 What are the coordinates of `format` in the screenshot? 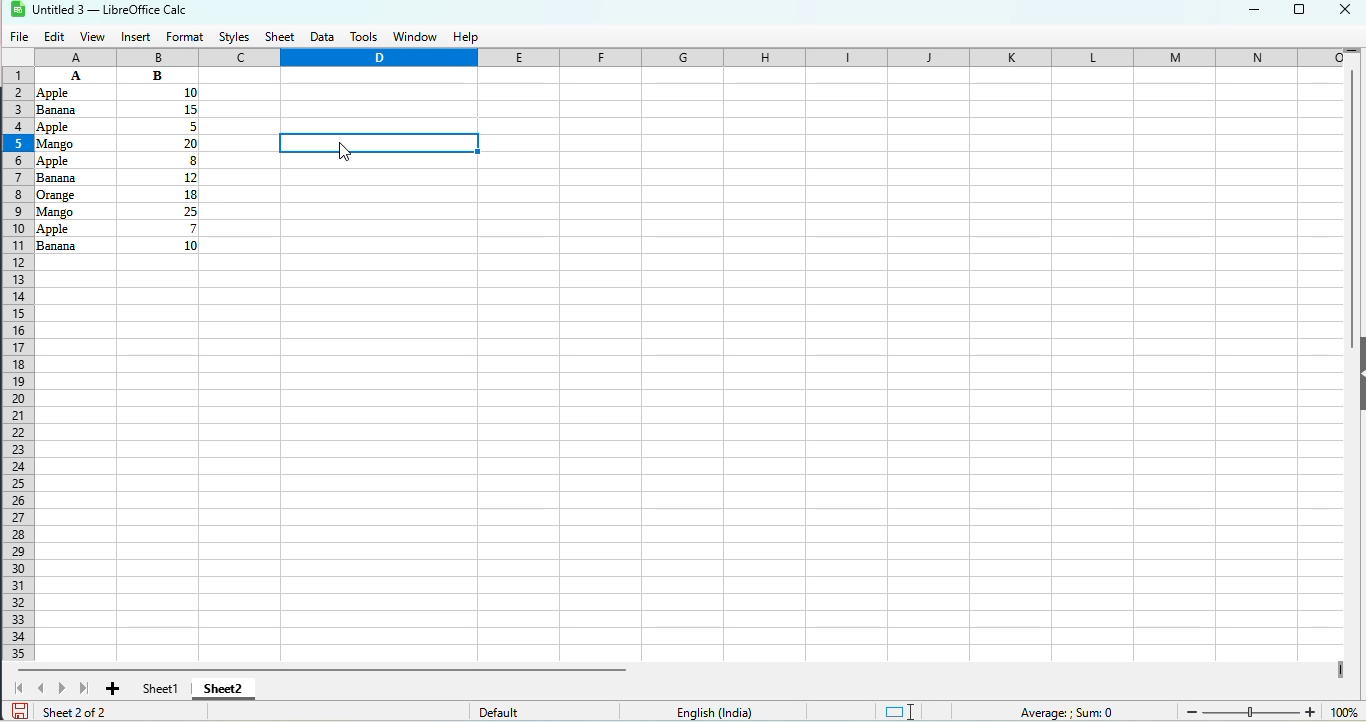 It's located at (184, 38).